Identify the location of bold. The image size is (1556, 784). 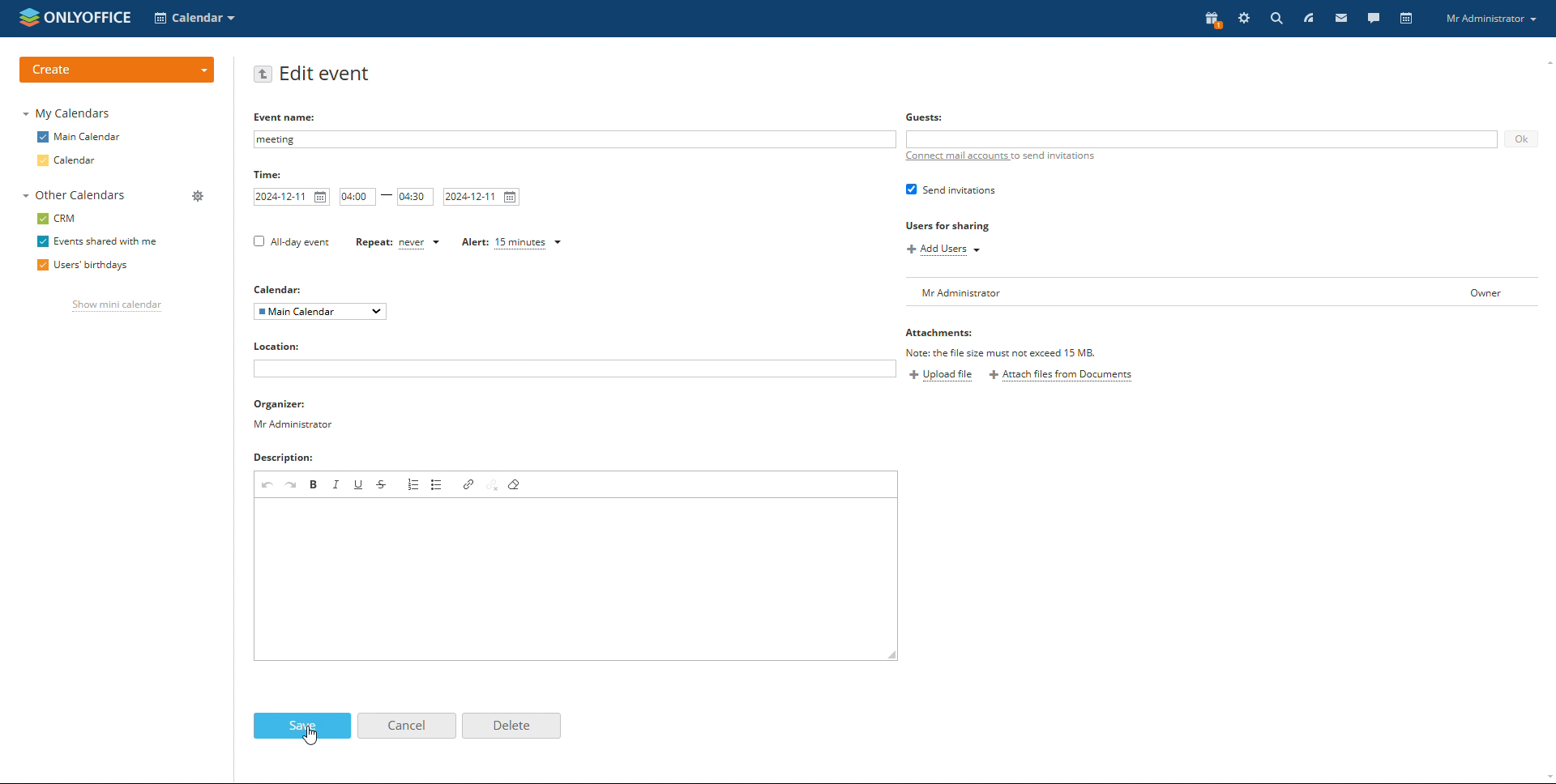
(314, 484).